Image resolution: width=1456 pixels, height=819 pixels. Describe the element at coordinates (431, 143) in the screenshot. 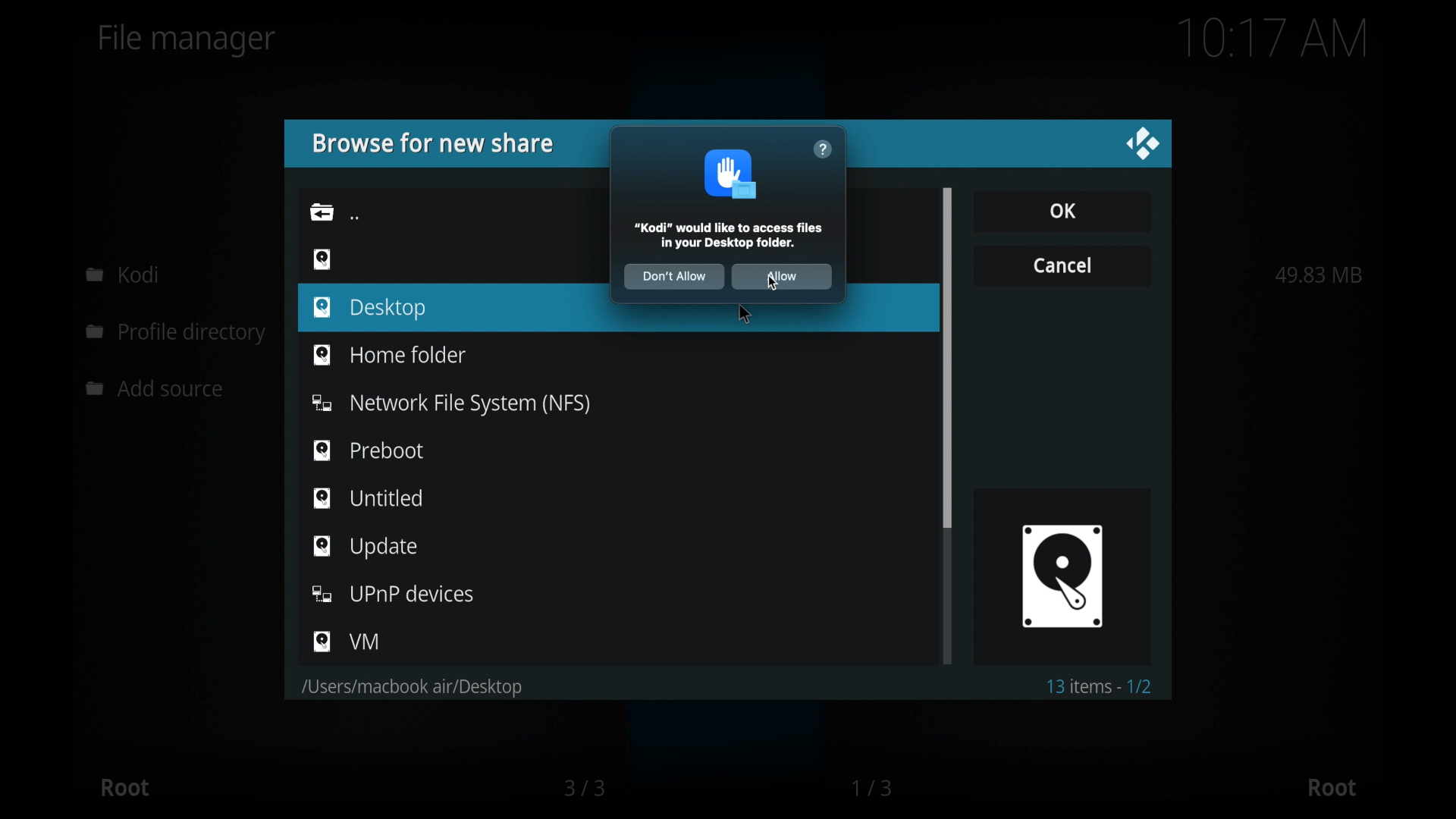

I see `browse for new share` at that location.